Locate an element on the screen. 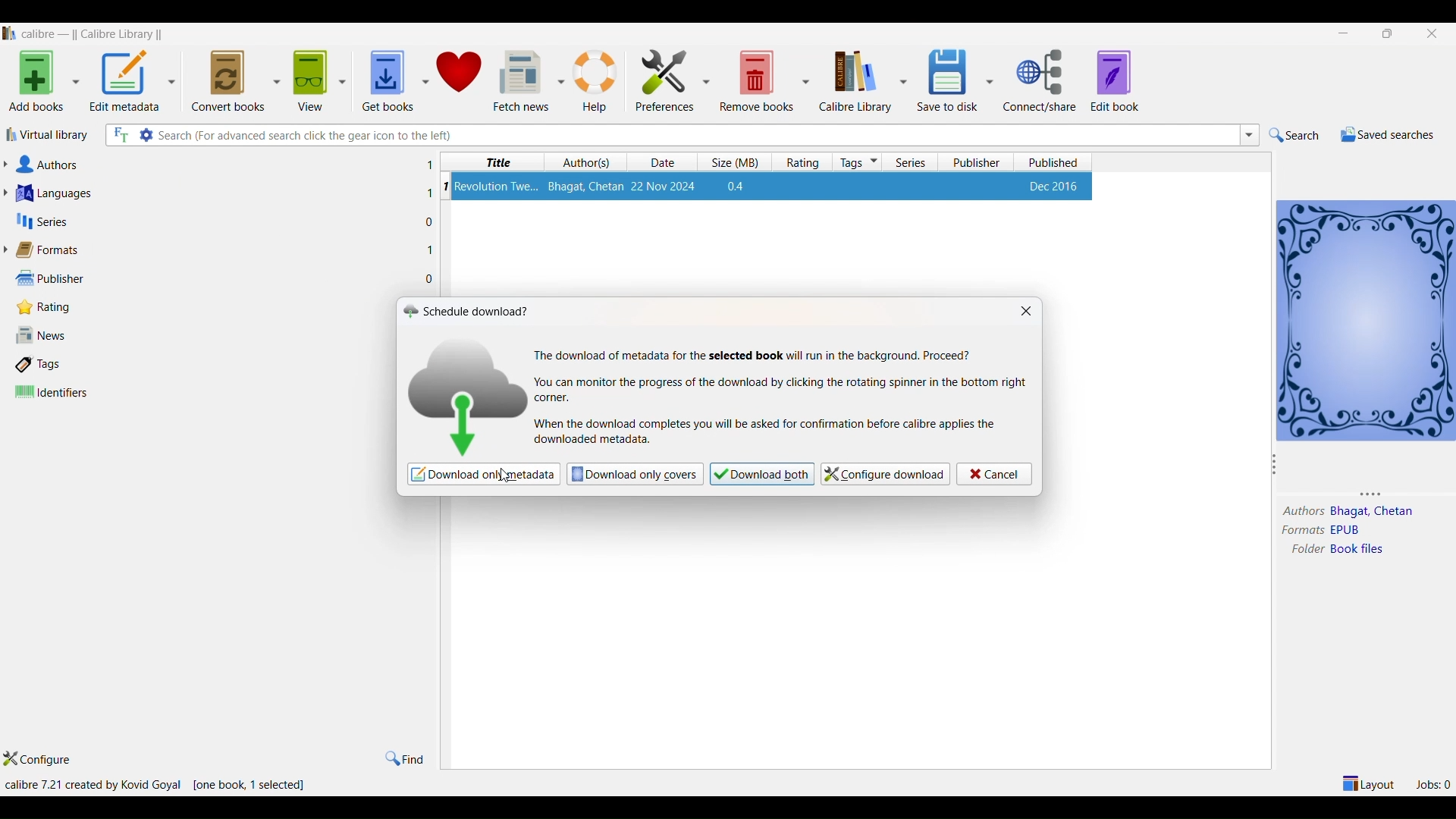 Image resolution: width=1456 pixels, height=819 pixels. search is located at coordinates (1293, 134).